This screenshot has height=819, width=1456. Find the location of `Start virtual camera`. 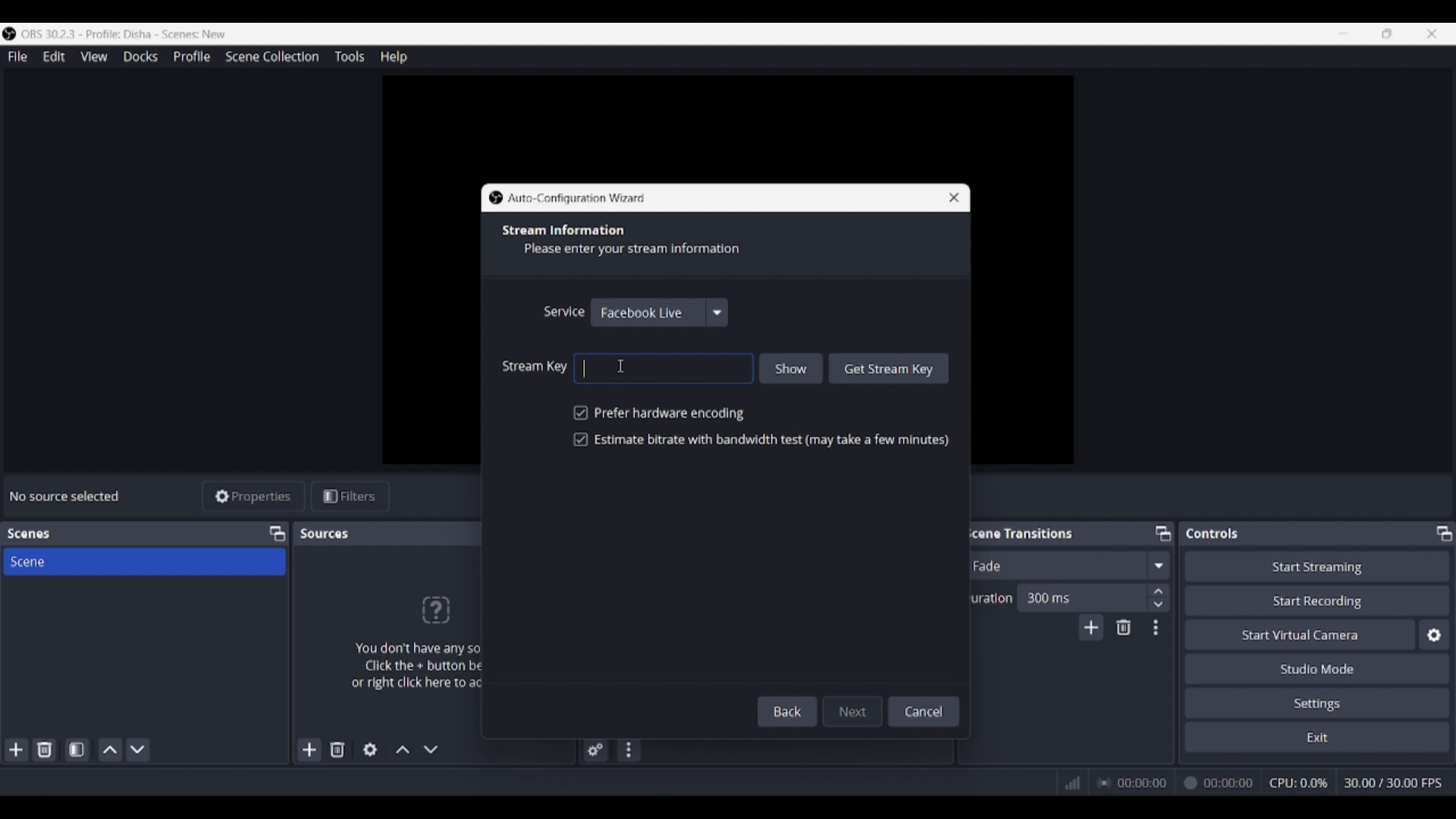

Start virtual camera is located at coordinates (1300, 634).